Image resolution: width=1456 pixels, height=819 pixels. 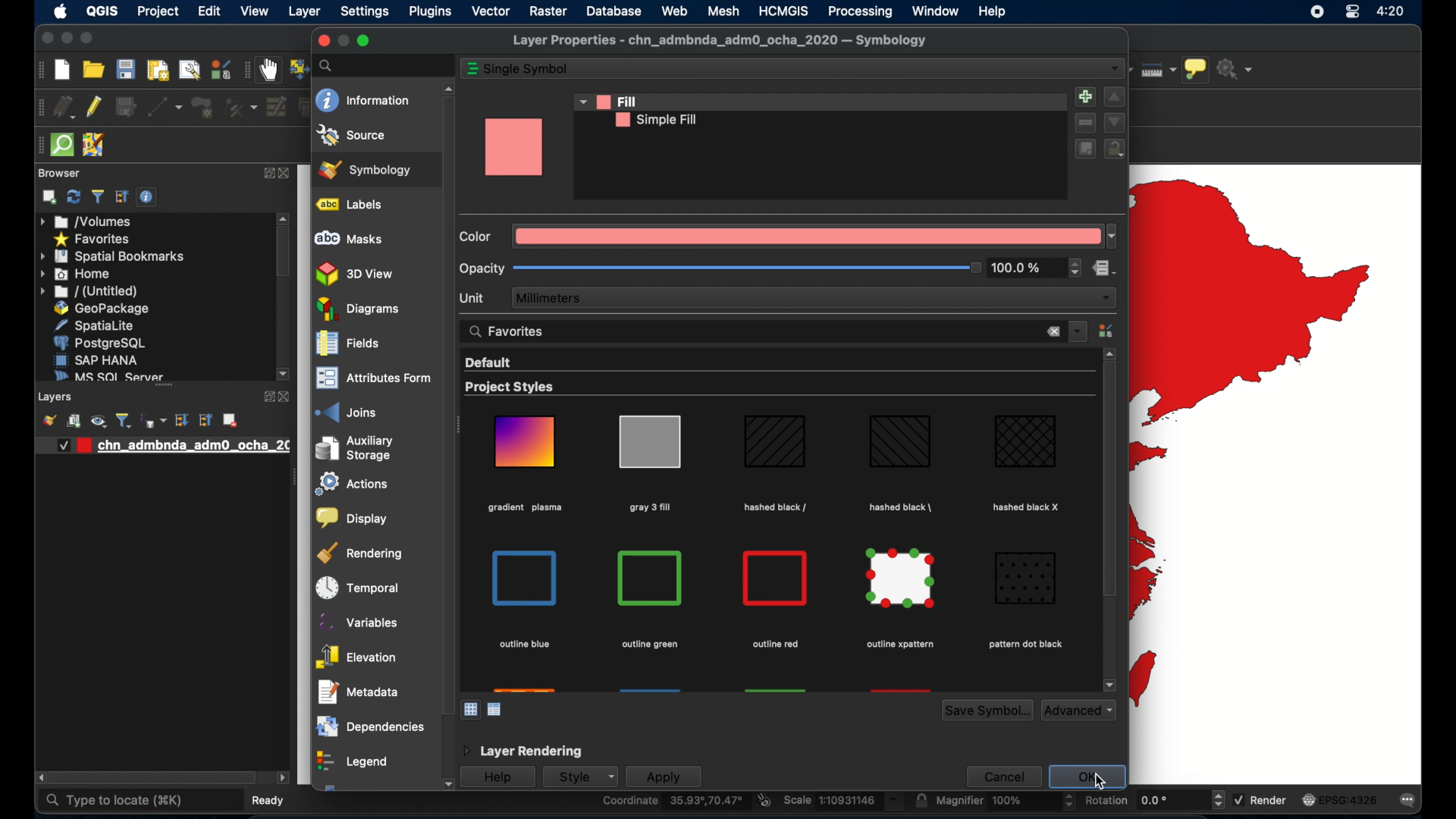 I want to click on collapse all, so click(x=122, y=197).